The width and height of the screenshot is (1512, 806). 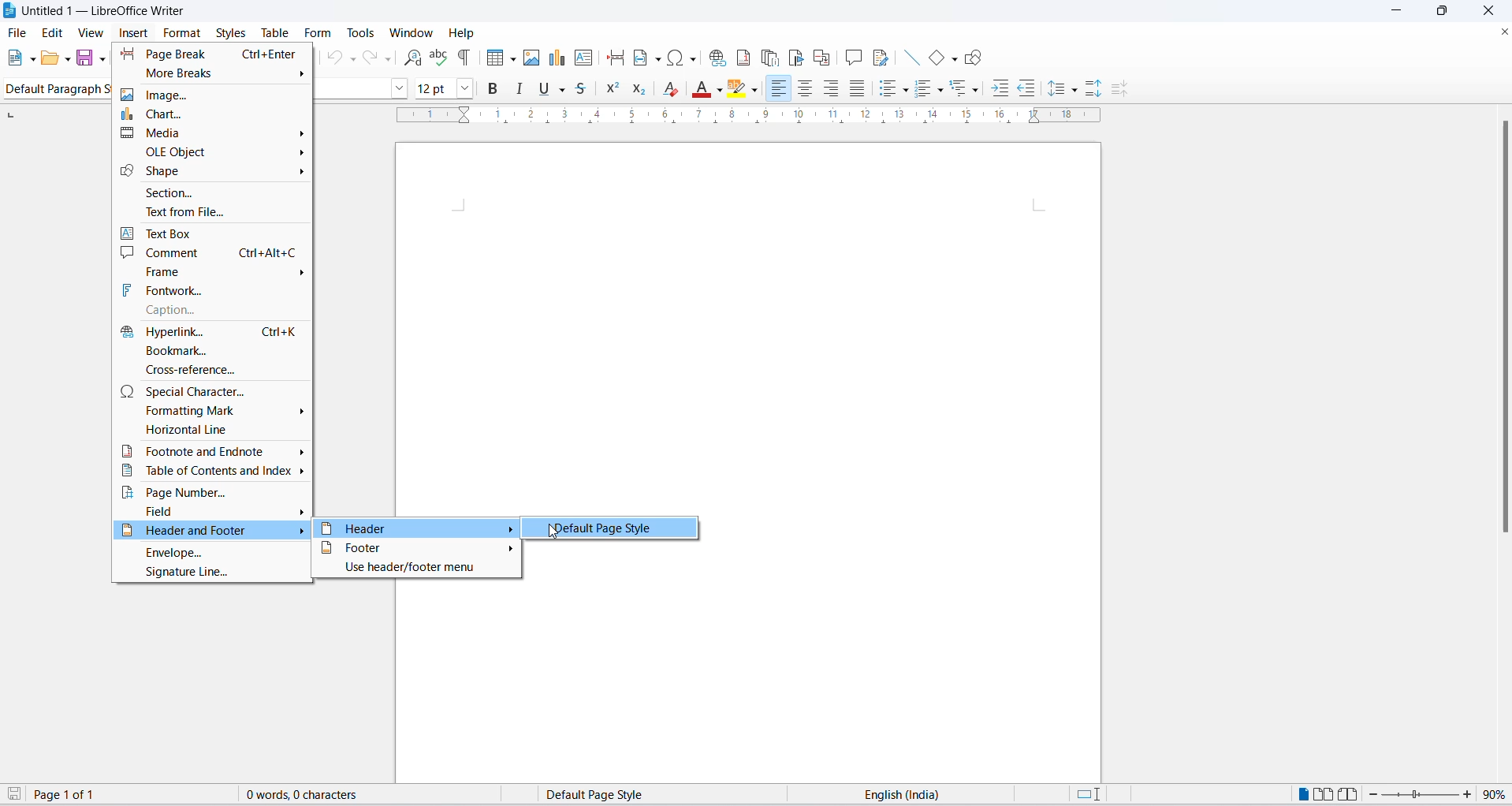 What do you see at coordinates (1501, 330) in the screenshot?
I see `scrollbar` at bounding box center [1501, 330].